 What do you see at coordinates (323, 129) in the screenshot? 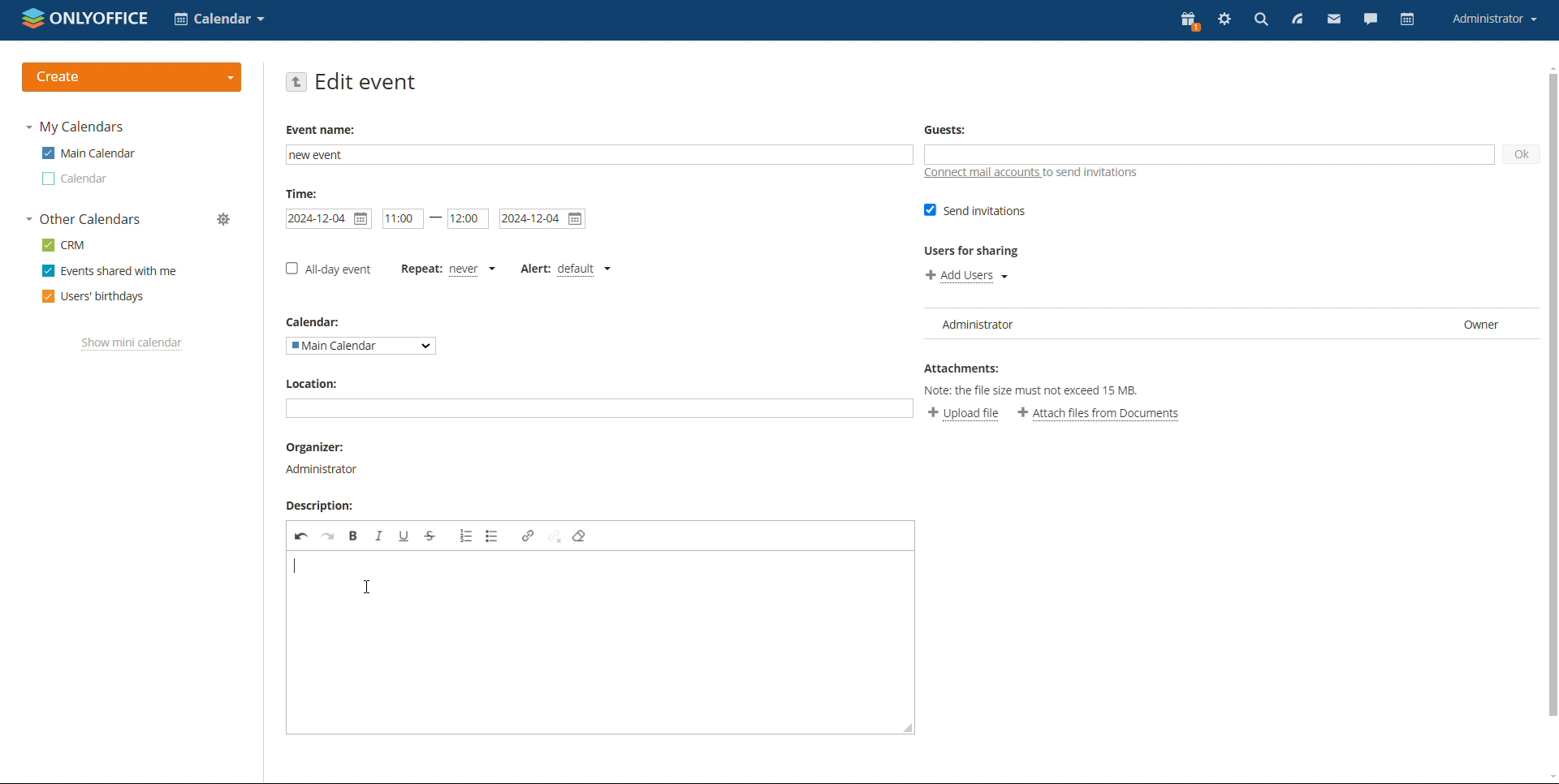
I see `Event name:` at bounding box center [323, 129].